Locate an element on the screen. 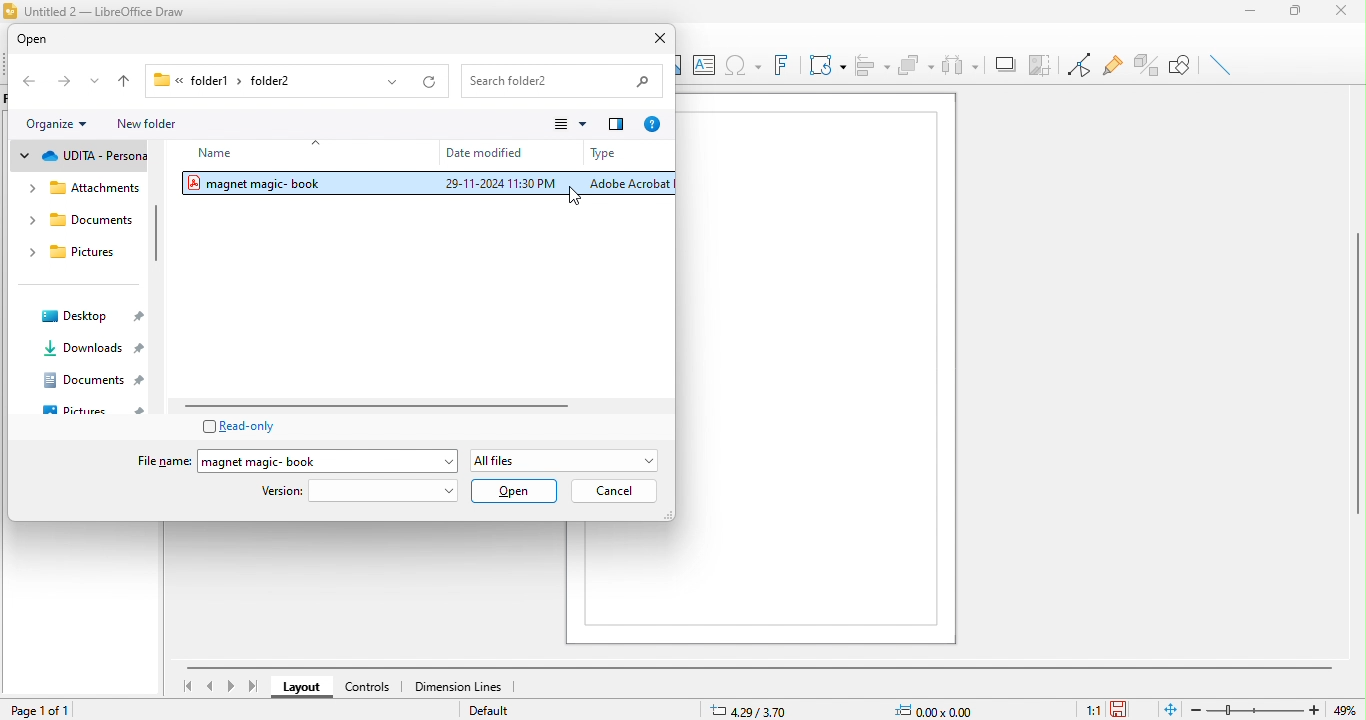 This screenshot has height=720, width=1366. recent location is located at coordinates (96, 82).